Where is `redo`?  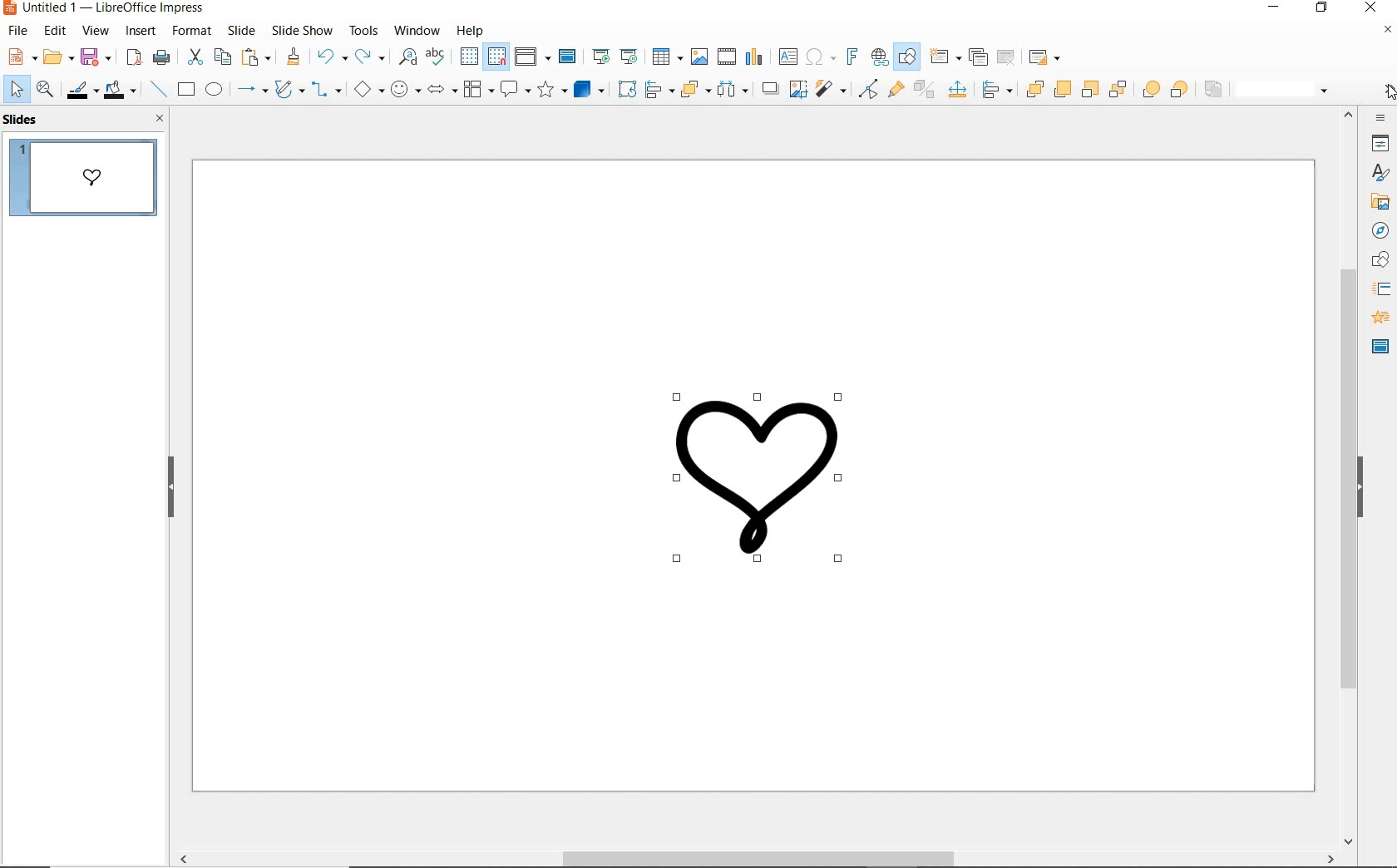 redo is located at coordinates (369, 57).